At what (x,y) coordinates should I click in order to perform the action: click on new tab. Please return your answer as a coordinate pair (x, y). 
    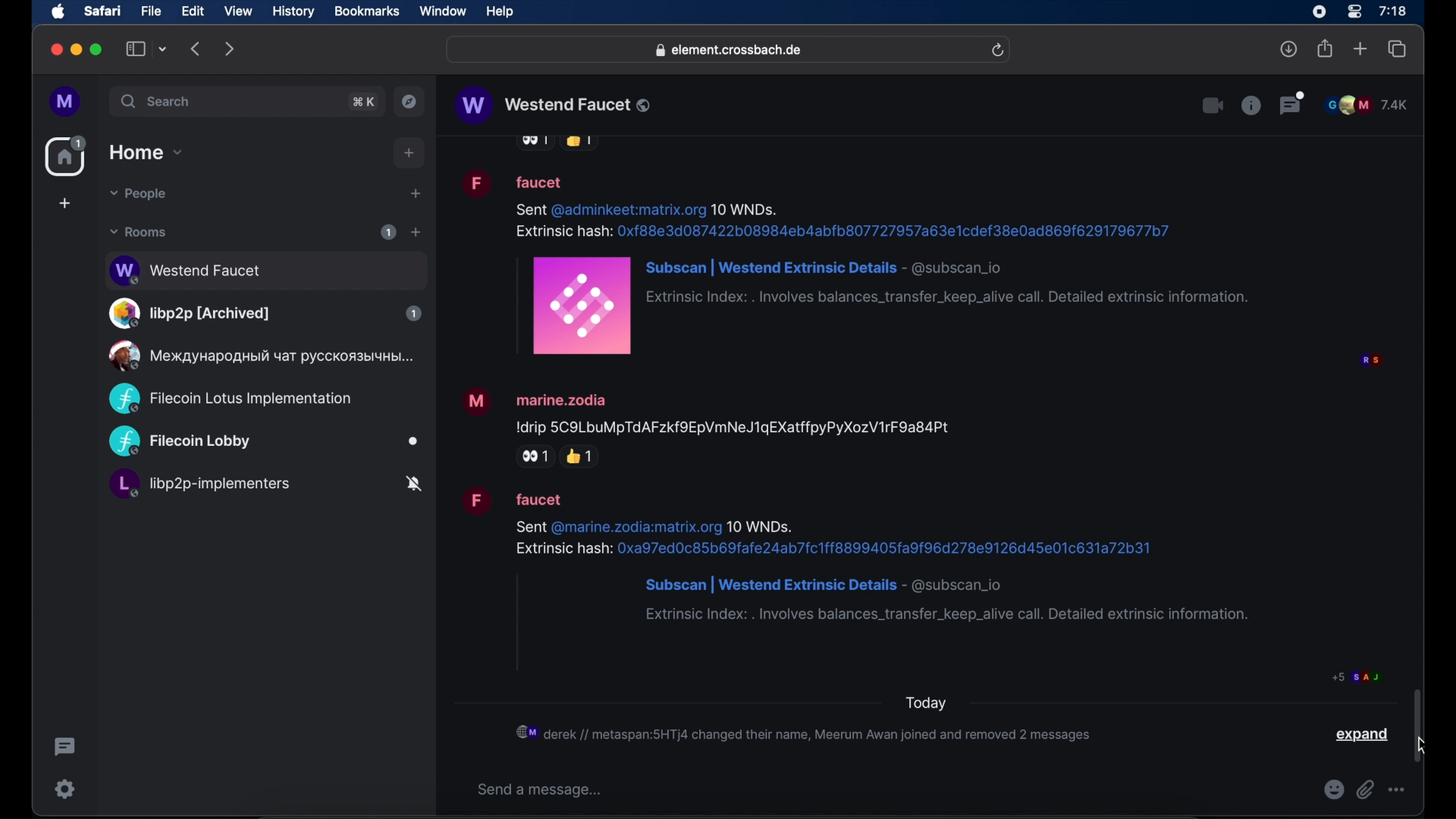
    Looking at the image, I should click on (1360, 48).